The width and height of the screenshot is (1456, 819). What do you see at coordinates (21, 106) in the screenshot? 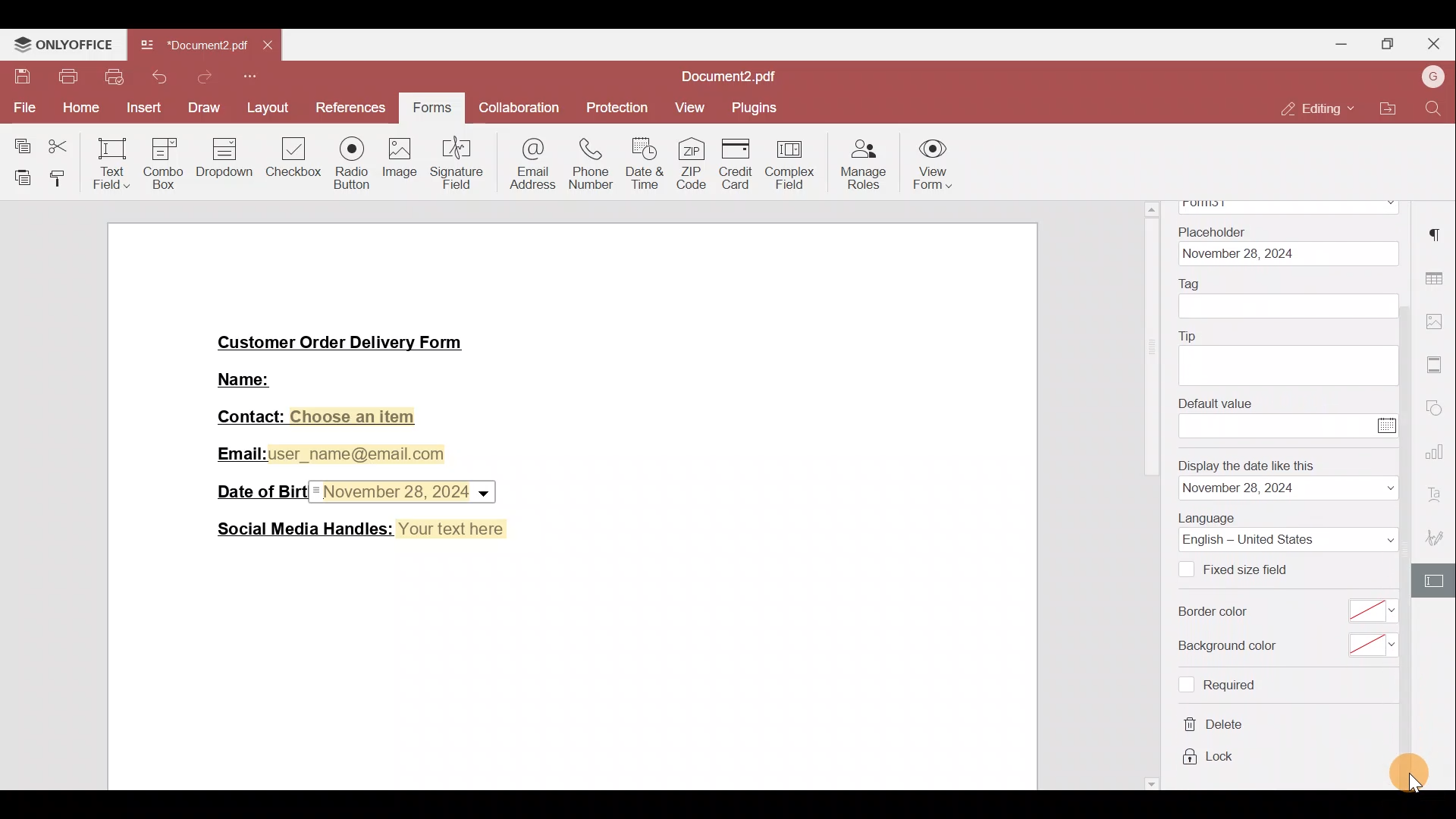
I see `File` at bounding box center [21, 106].